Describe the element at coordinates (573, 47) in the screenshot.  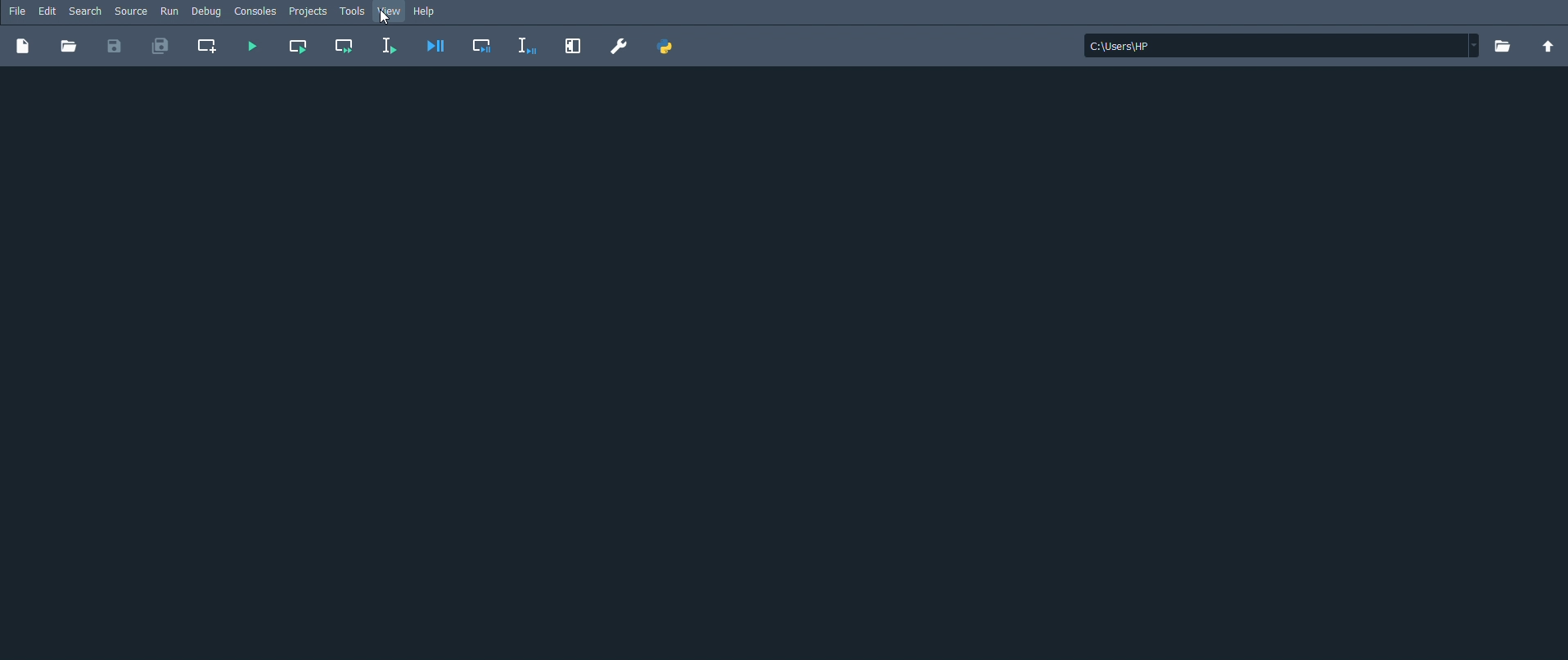
I see `Maximize current pane` at that location.